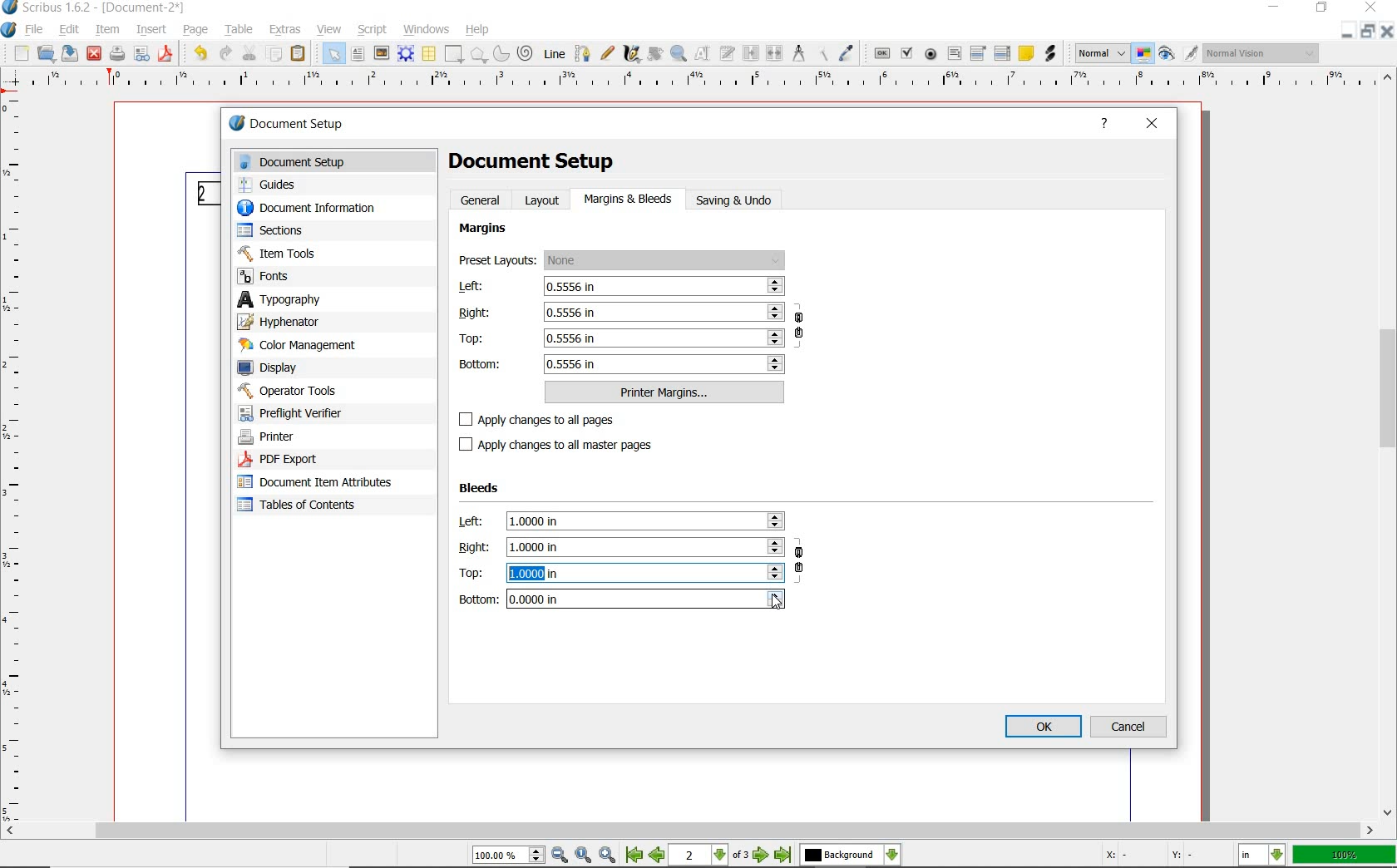 Image resolution: width=1397 pixels, height=868 pixels. Describe the element at coordinates (284, 323) in the screenshot. I see `hyphenator` at that location.